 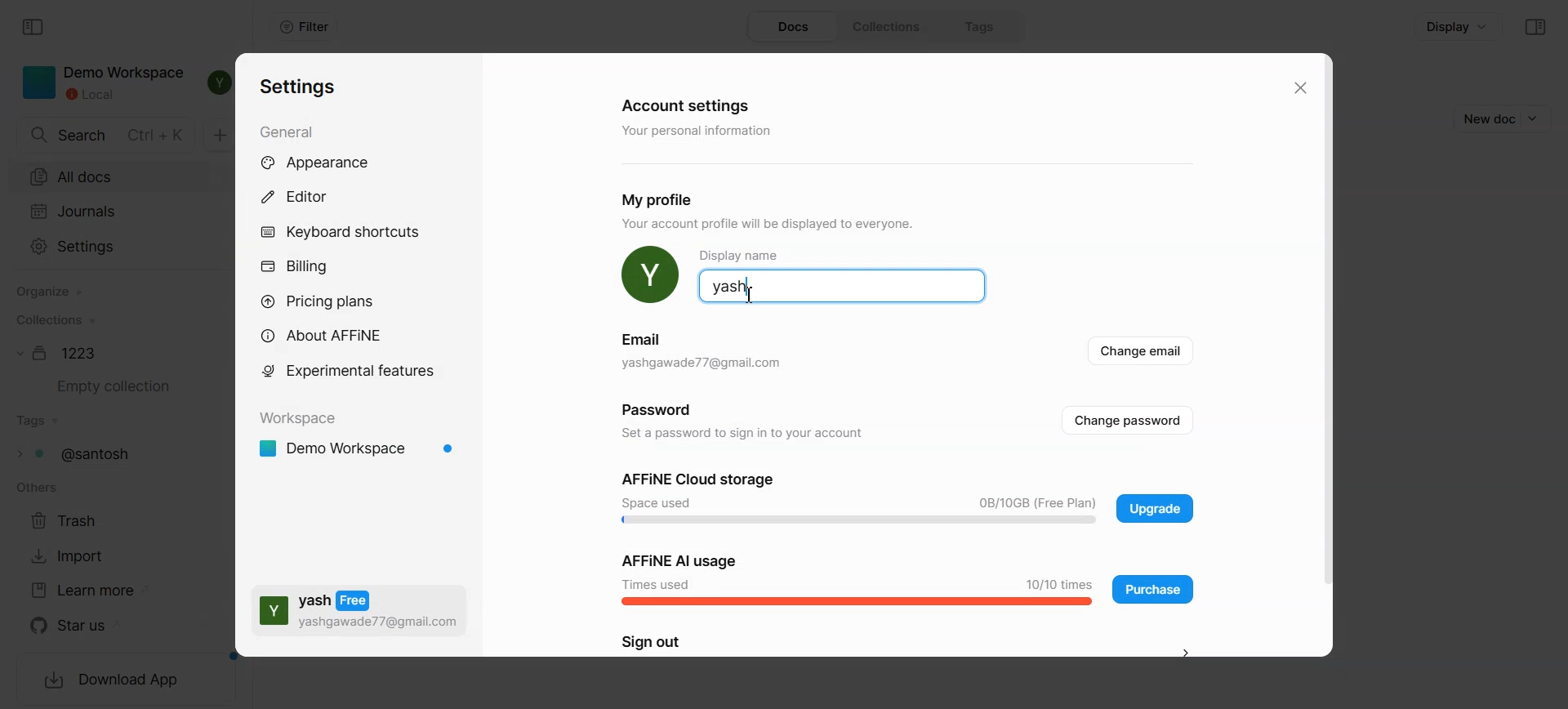 What do you see at coordinates (48, 292) in the screenshot?
I see `Organize` at bounding box center [48, 292].